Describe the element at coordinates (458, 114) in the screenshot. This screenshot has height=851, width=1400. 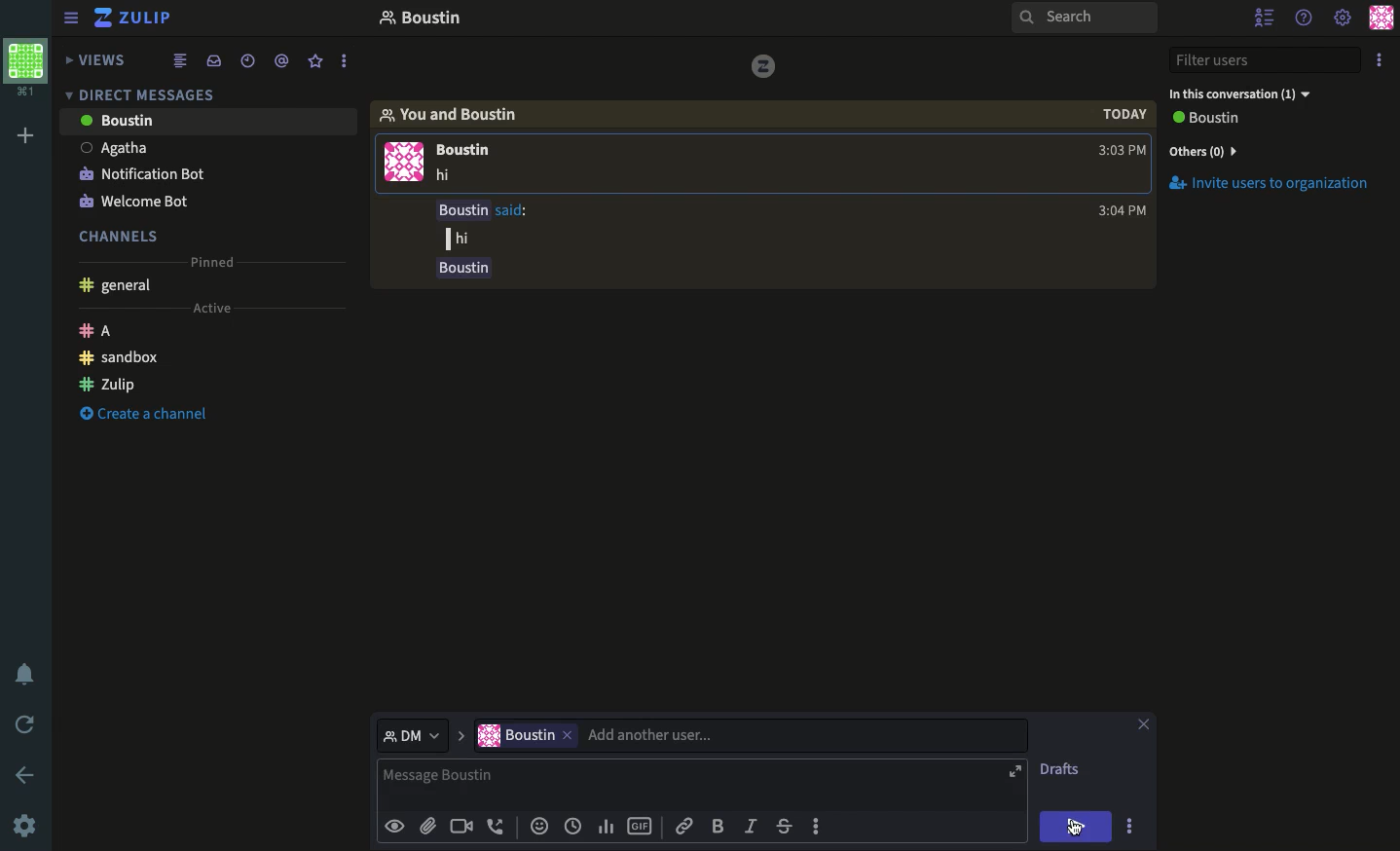
I see `You and user` at that location.